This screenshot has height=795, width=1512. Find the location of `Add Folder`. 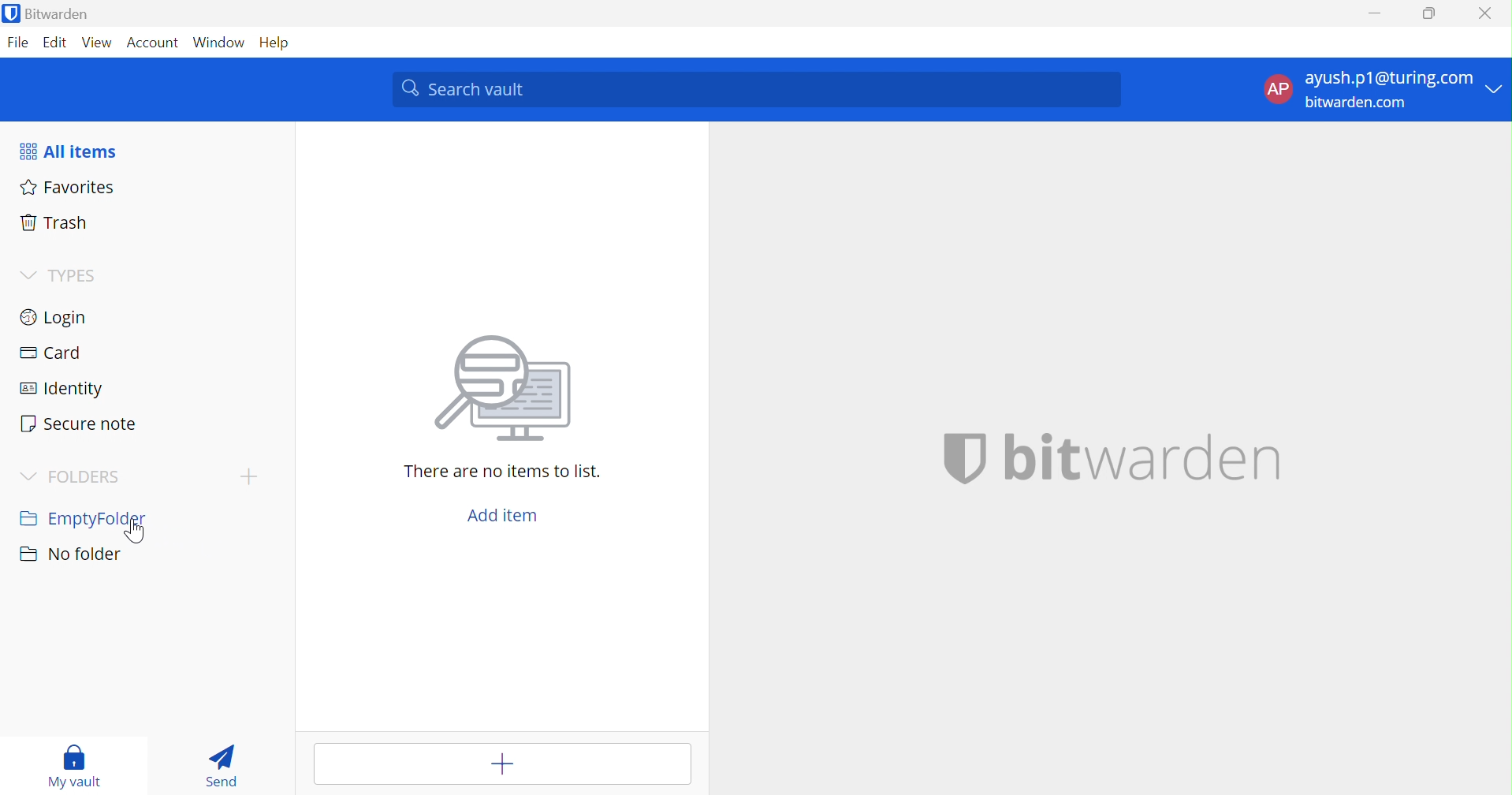

Add Folder is located at coordinates (252, 476).